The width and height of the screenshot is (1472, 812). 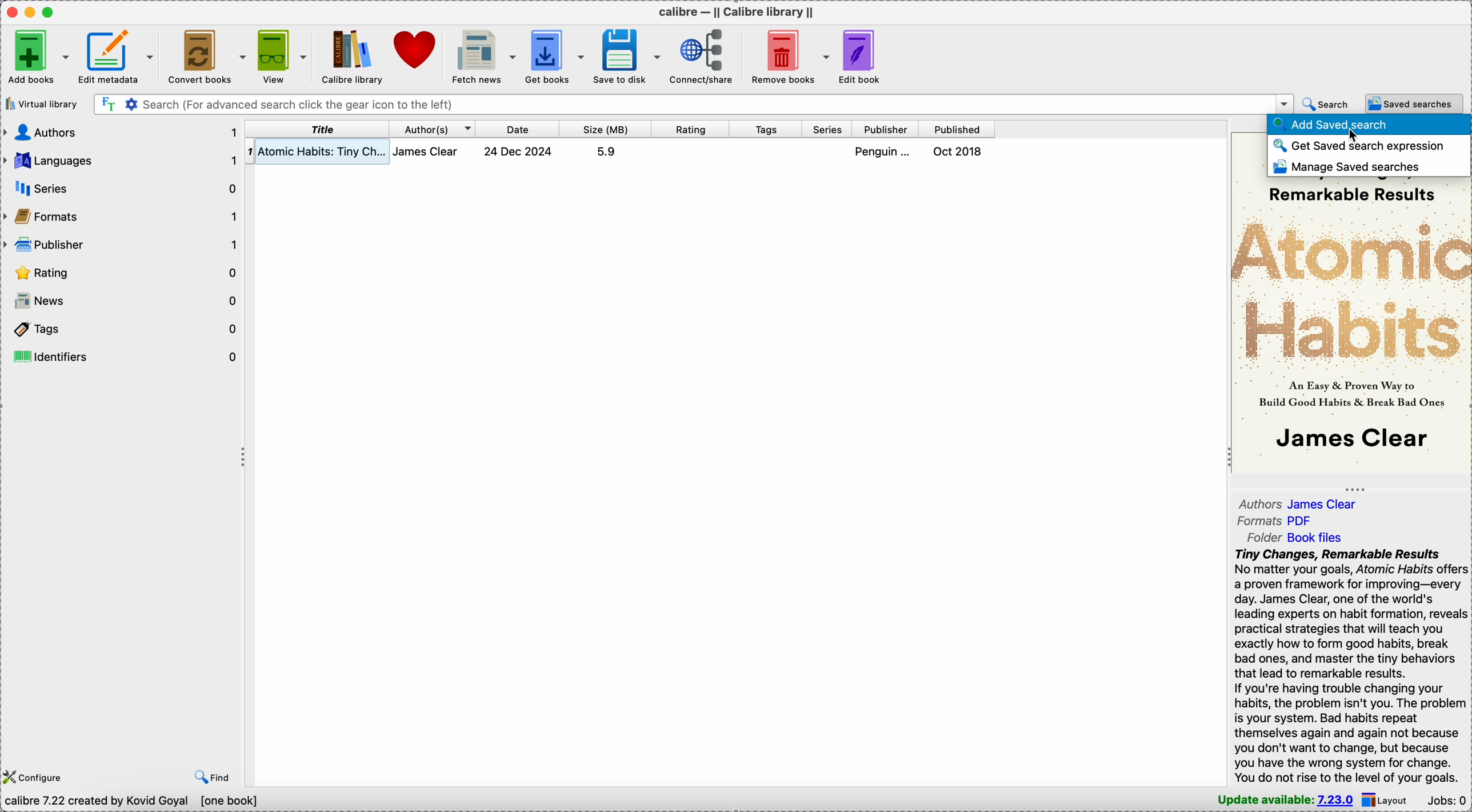 What do you see at coordinates (351, 56) in the screenshot?
I see `Calibre library` at bounding box center [351, 56].